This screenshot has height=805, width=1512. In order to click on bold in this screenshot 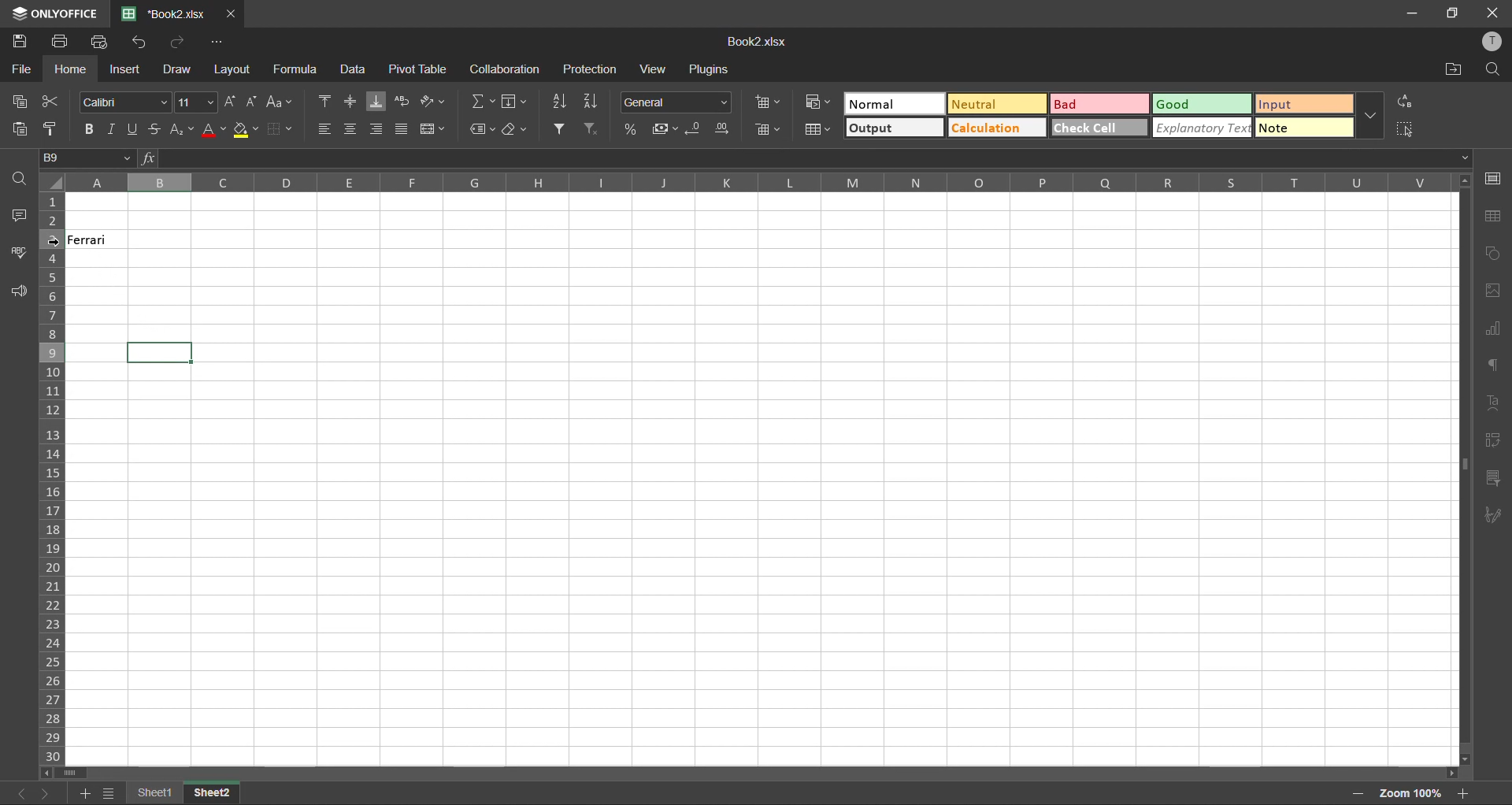, I will do `click(87, 128)`.